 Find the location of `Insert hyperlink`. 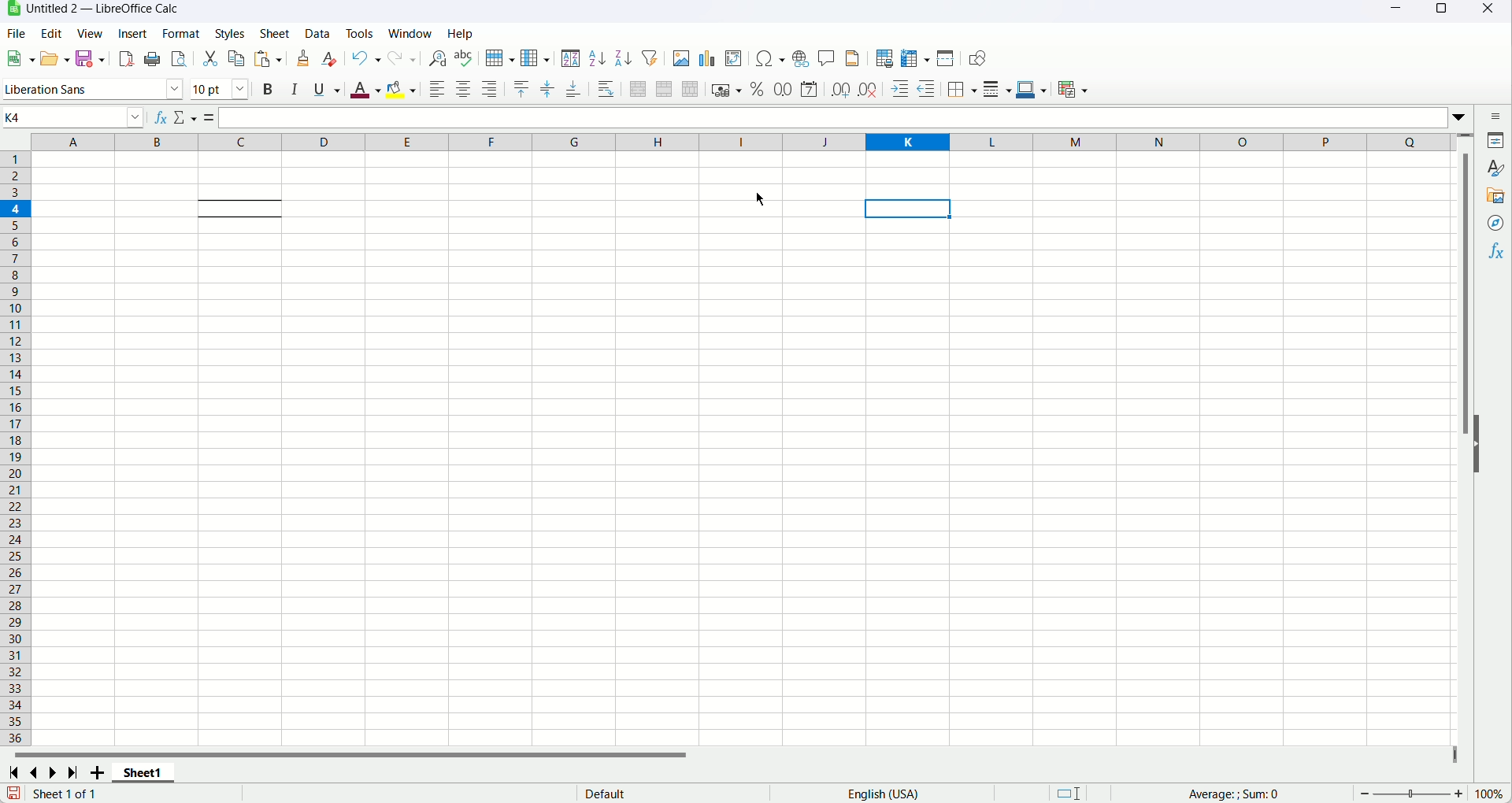

Insert hyperlink is located at coordinates (802, 57).